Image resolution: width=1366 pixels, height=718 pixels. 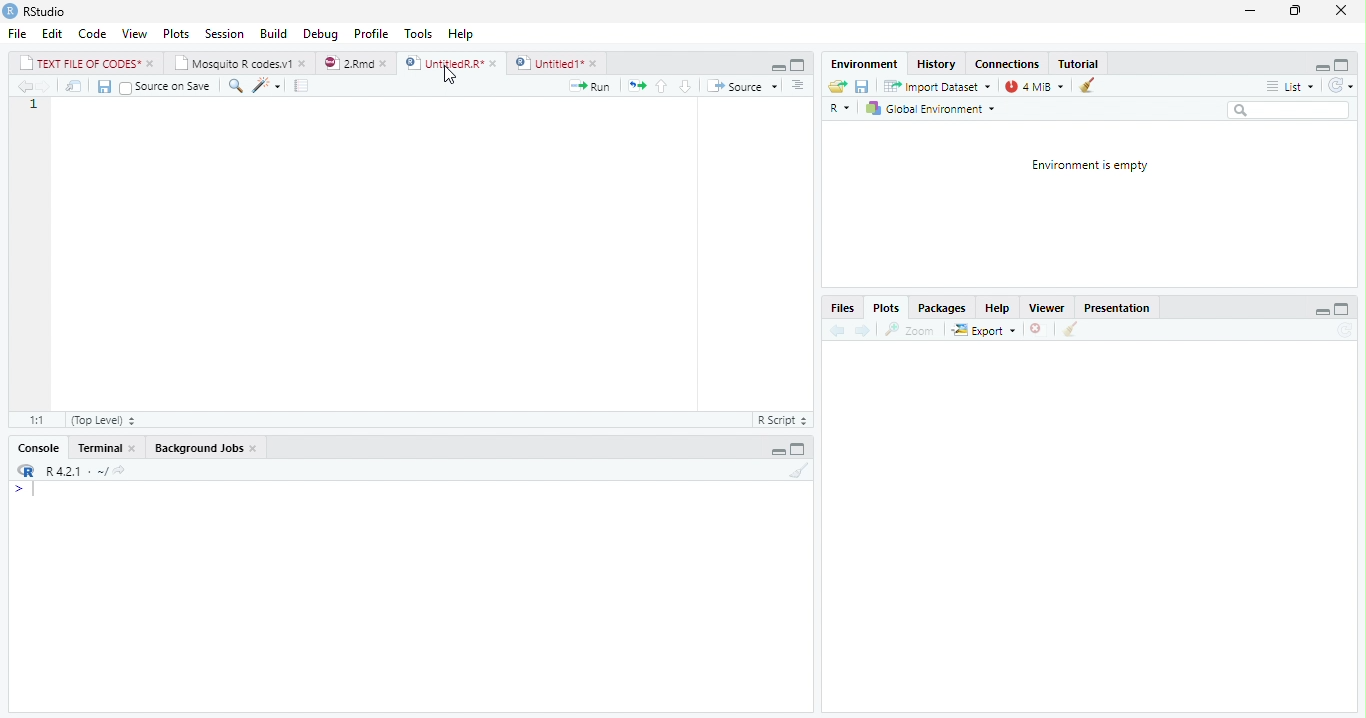 I want to click on hide r script, so click(x=777, y=450).